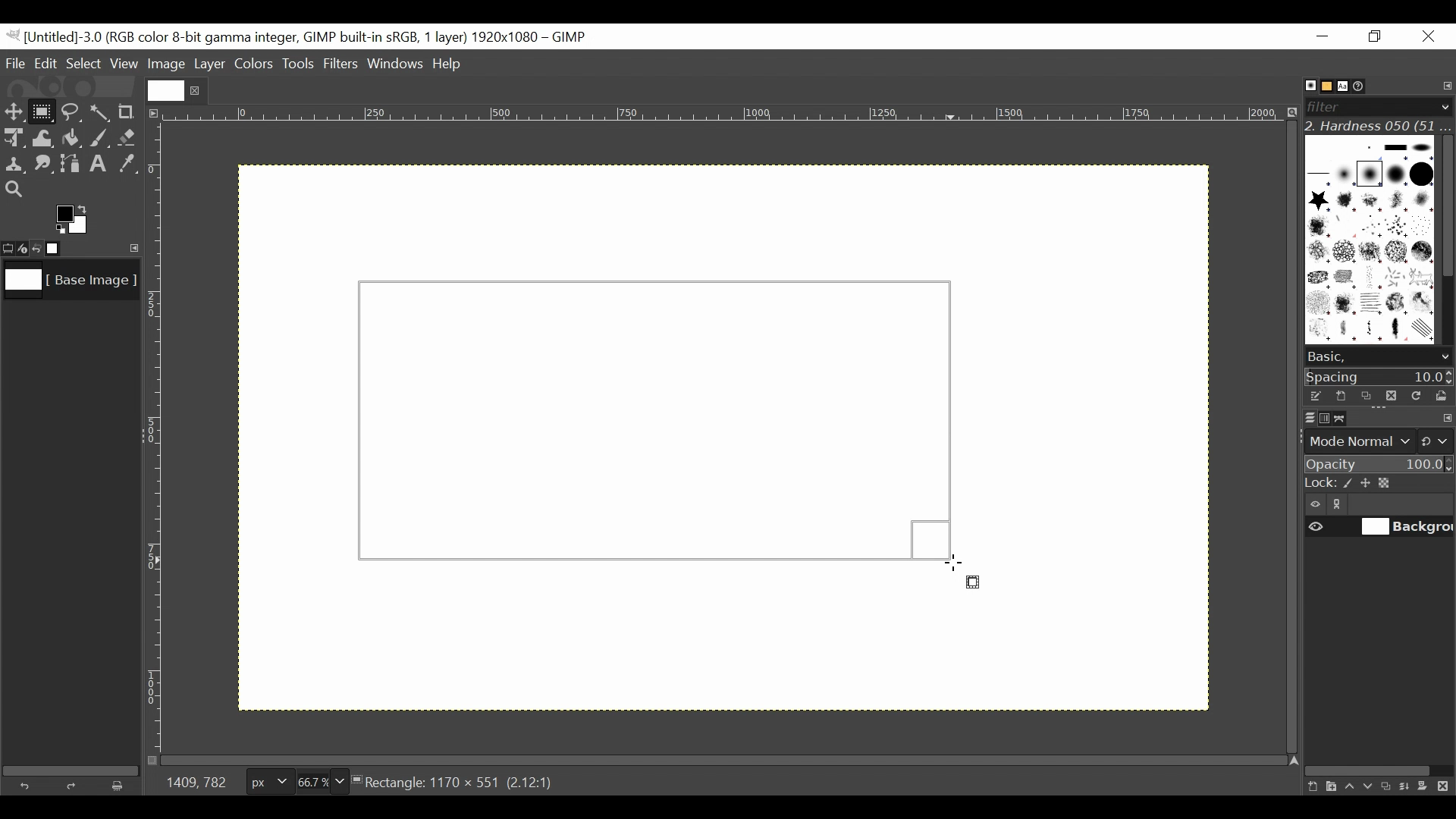  Describe the element at coordinates (1364, 85) in the screenshot. I see `Document History` at that location.